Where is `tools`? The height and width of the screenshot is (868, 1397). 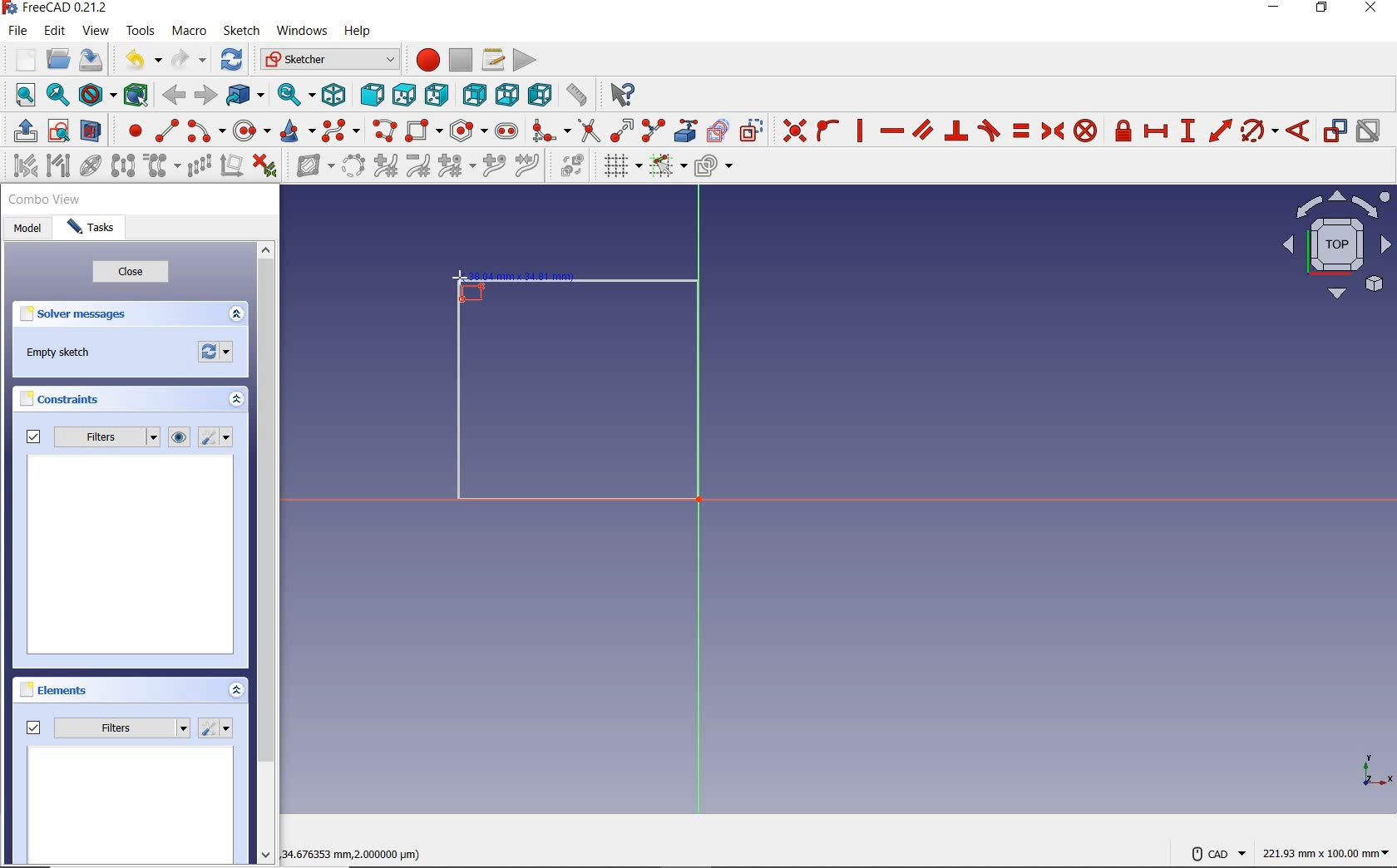
tools is located at coordinates (141, 32).